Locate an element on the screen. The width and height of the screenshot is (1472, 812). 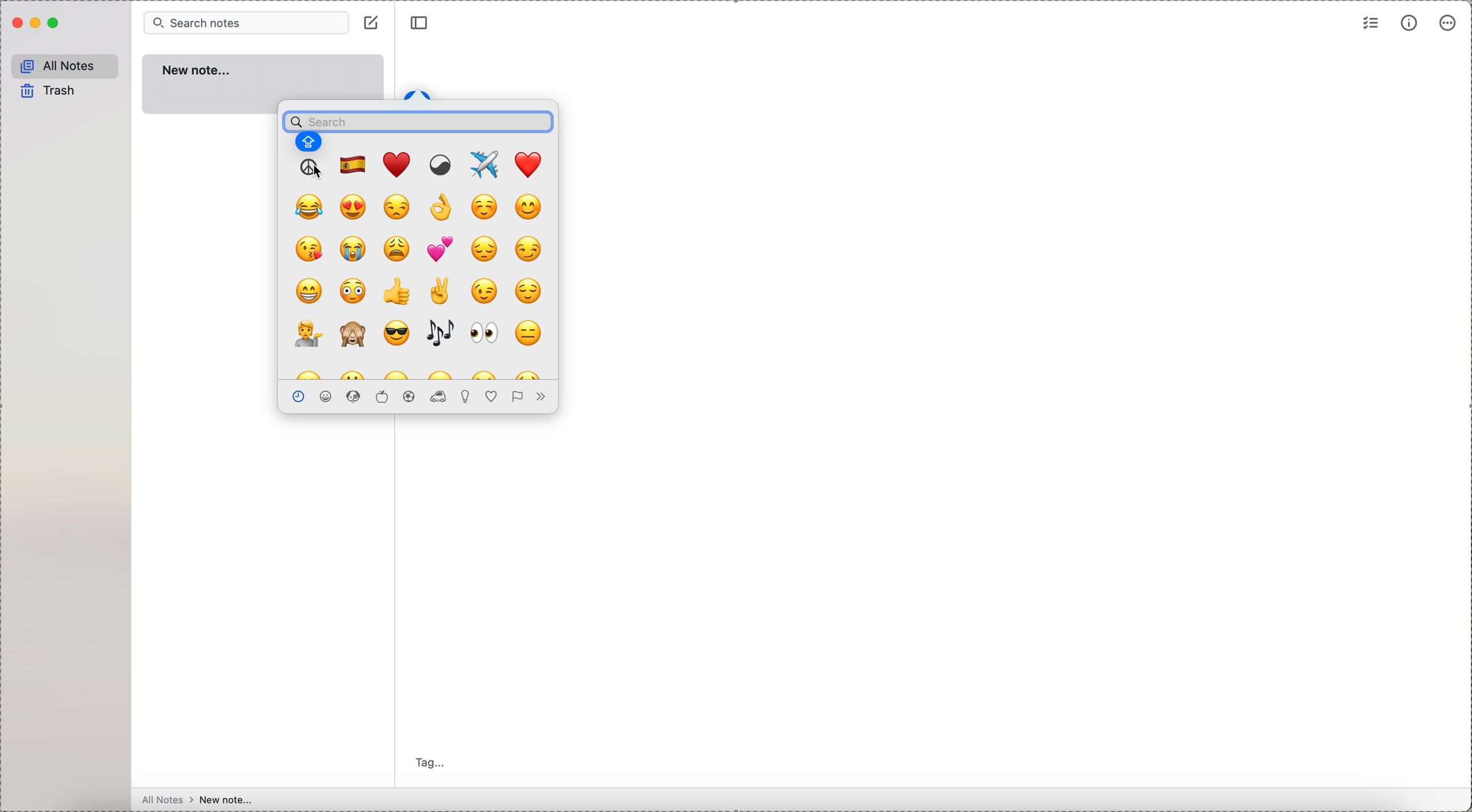
new note is located at coordinates (263, 77).